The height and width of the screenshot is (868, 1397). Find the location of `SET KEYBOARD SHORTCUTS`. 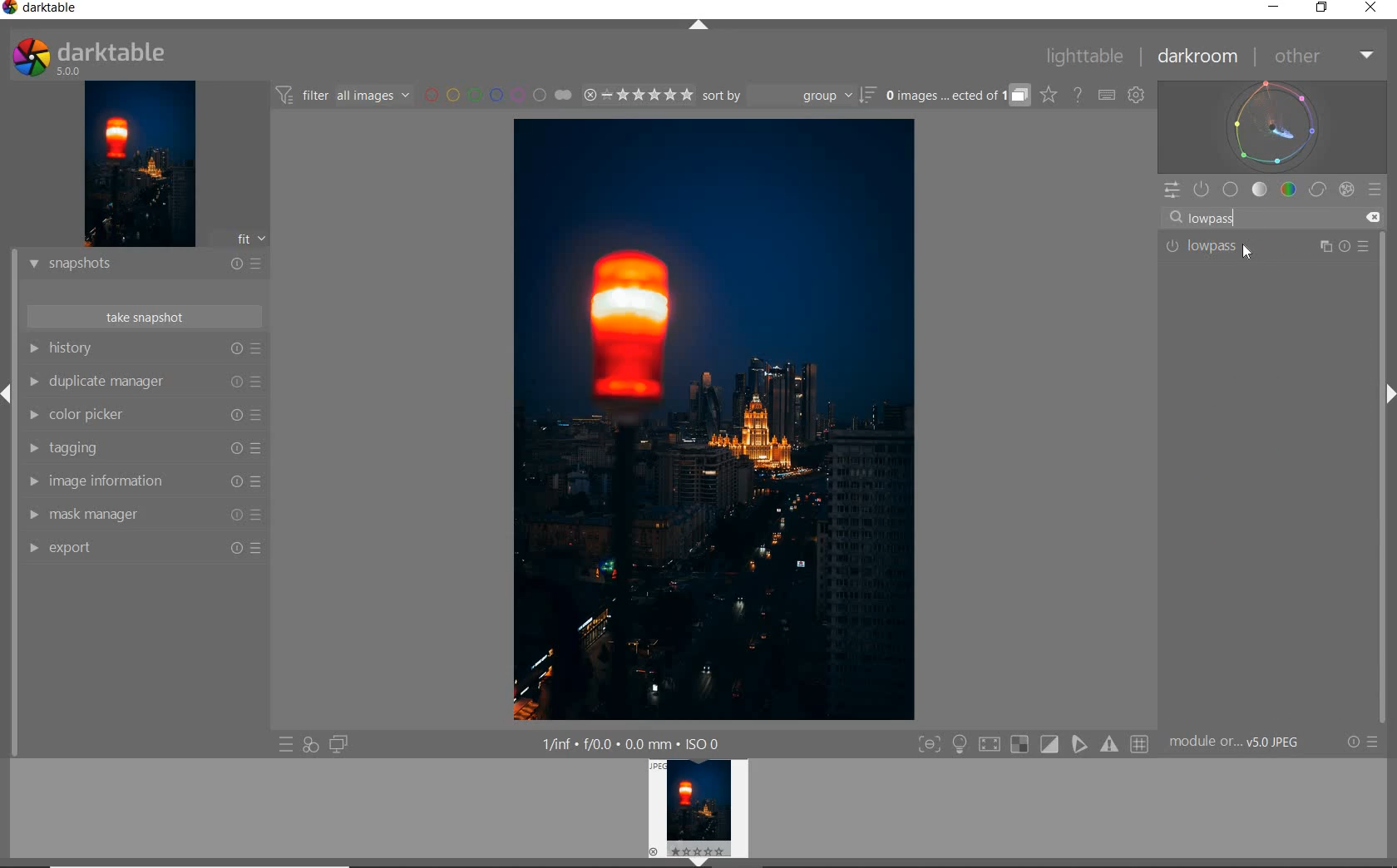

SET KEYBOARD SHORTCUTS is located at coordinates (1107, 95).